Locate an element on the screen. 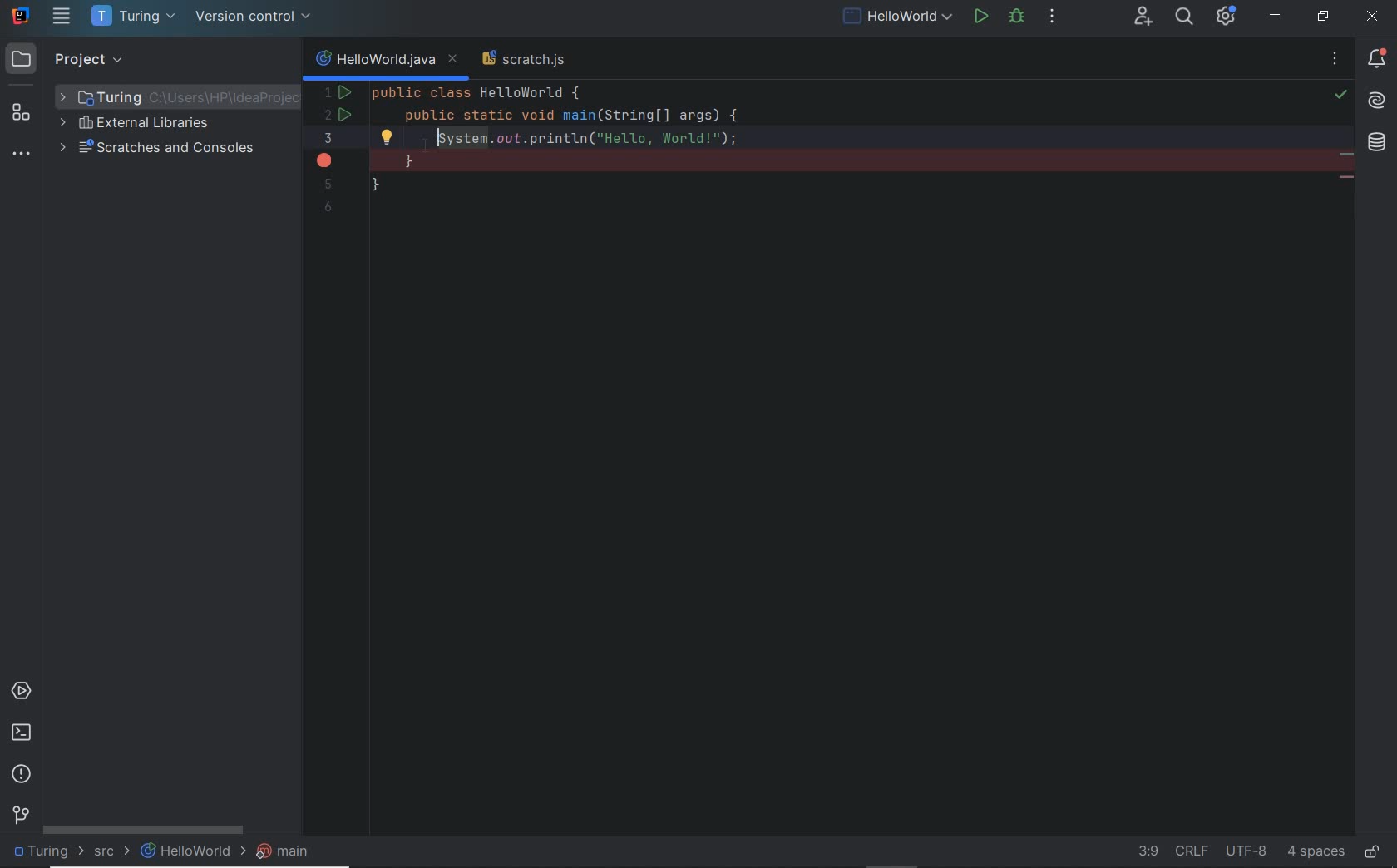 Image resolution: width=1397 pixels, height=868 pixels. project folder is located at coordinates (167, 96).